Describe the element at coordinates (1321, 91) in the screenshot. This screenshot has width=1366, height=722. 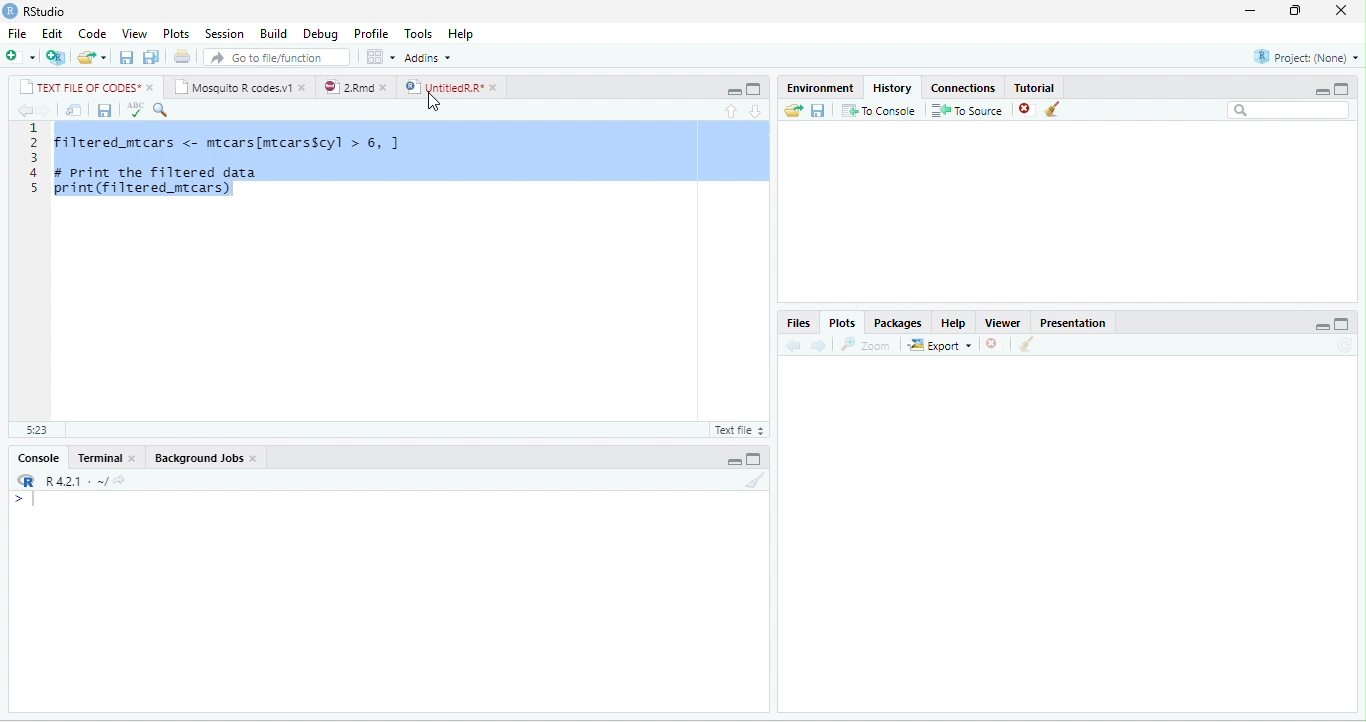
I see `minimize` at that location.